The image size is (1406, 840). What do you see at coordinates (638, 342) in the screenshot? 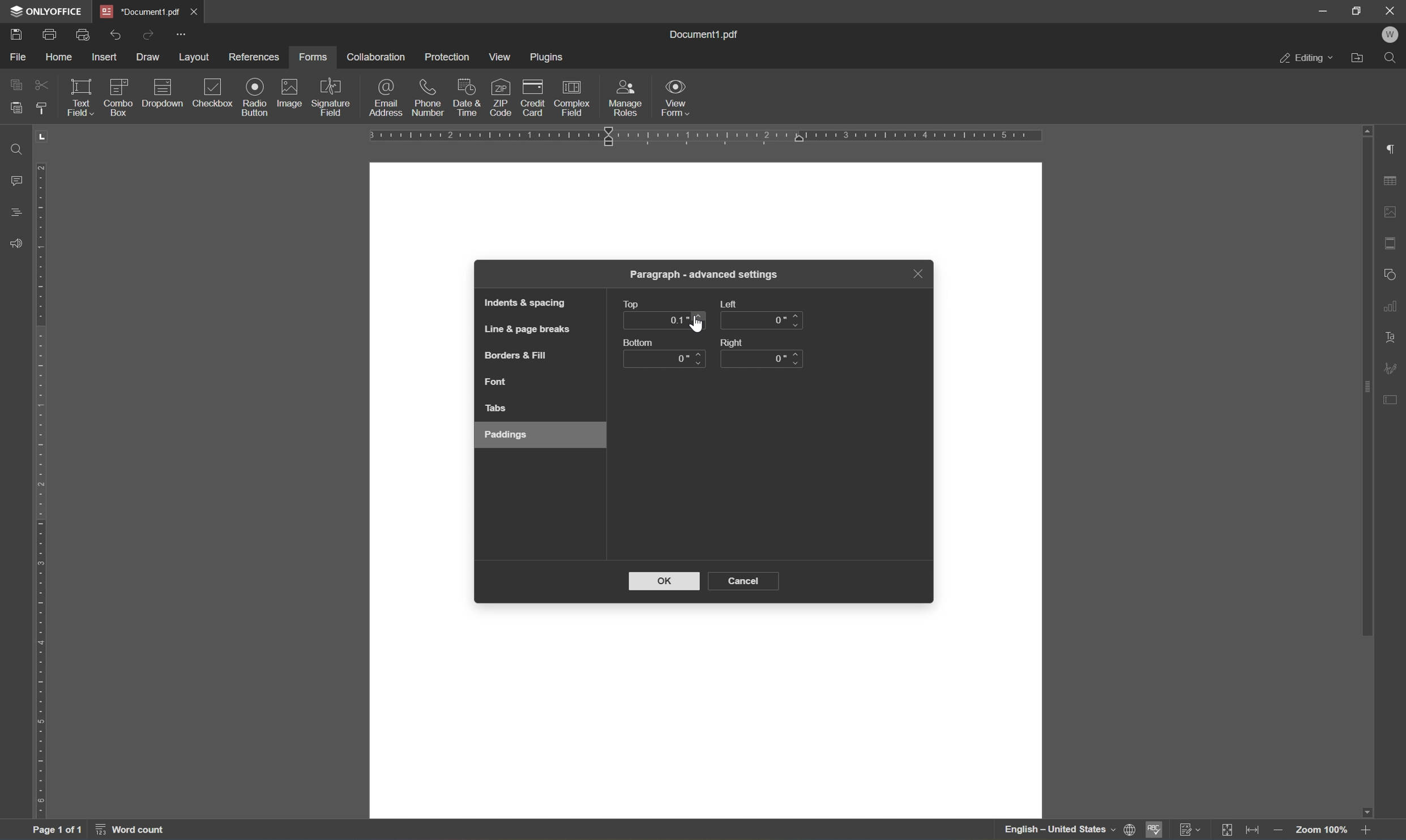
I see `button` at bounding box center [638, 342].